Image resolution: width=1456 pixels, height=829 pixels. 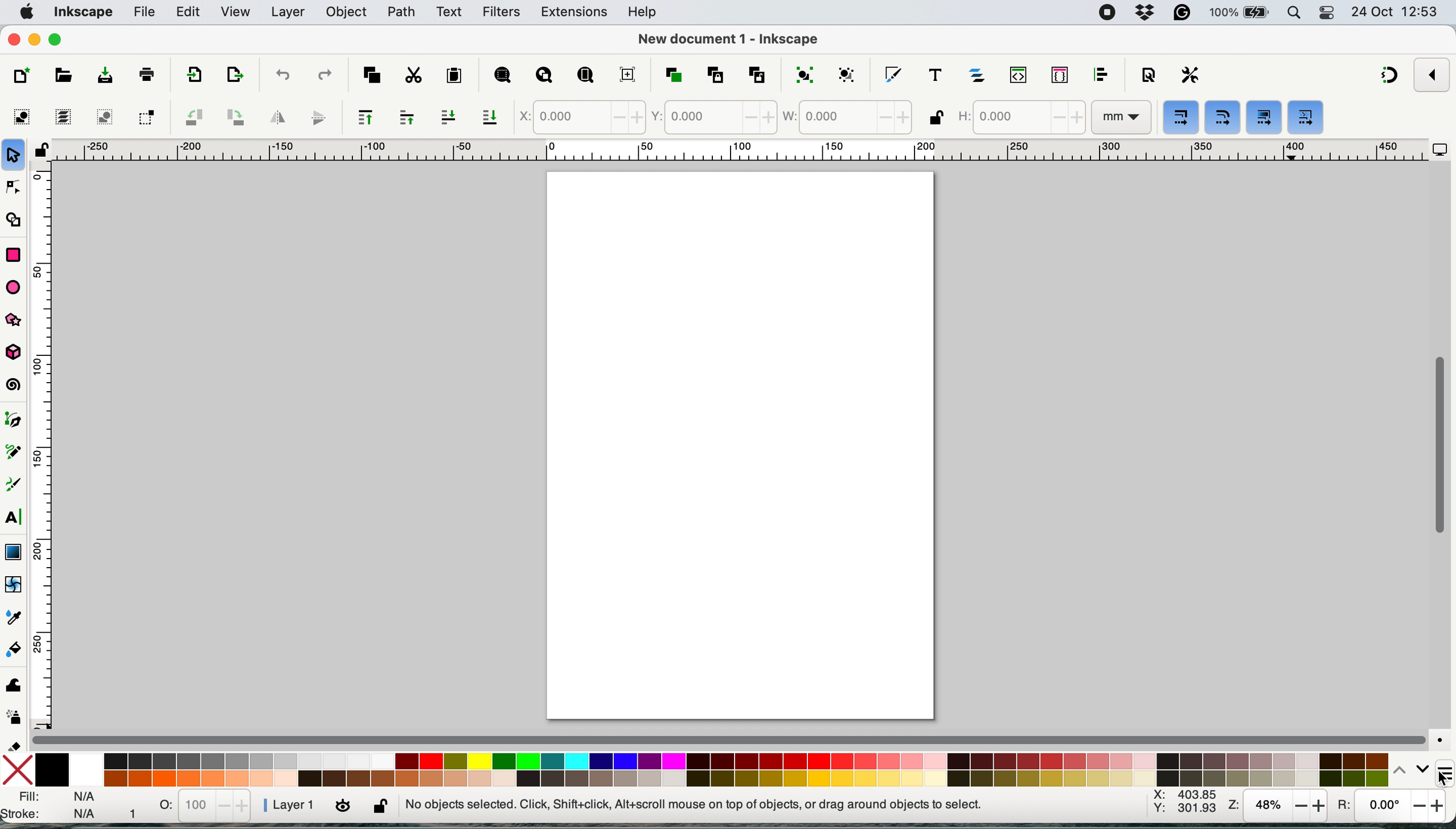 What do you see at coordinates (1149, 11) in the screenshot?
I see `dropbox` at bounding box center [1149, 11].